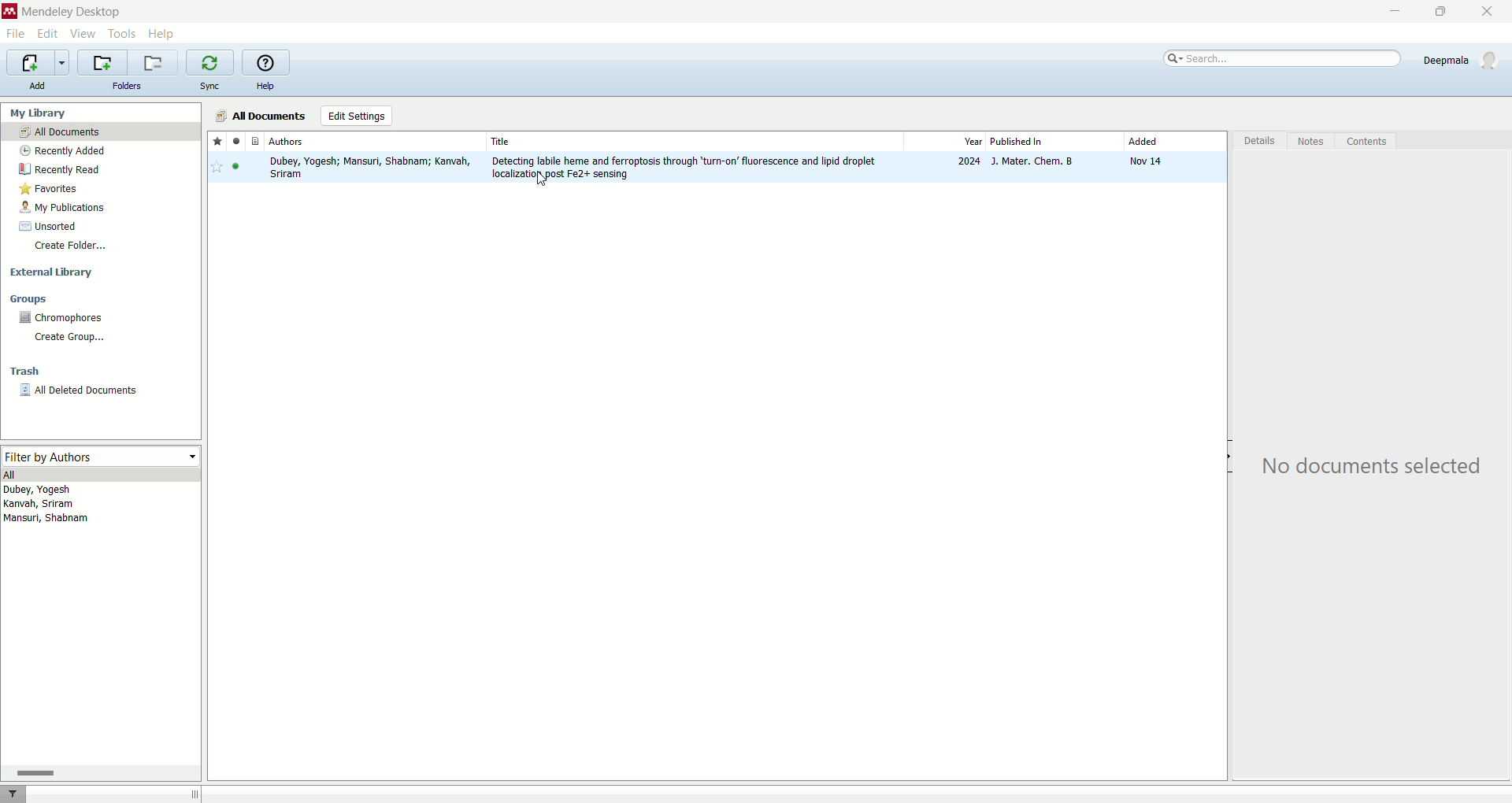 The image size is (1512, 803). Describe the element at coordinates (70, 245) in the screenshot. I see `create folder` at that location.